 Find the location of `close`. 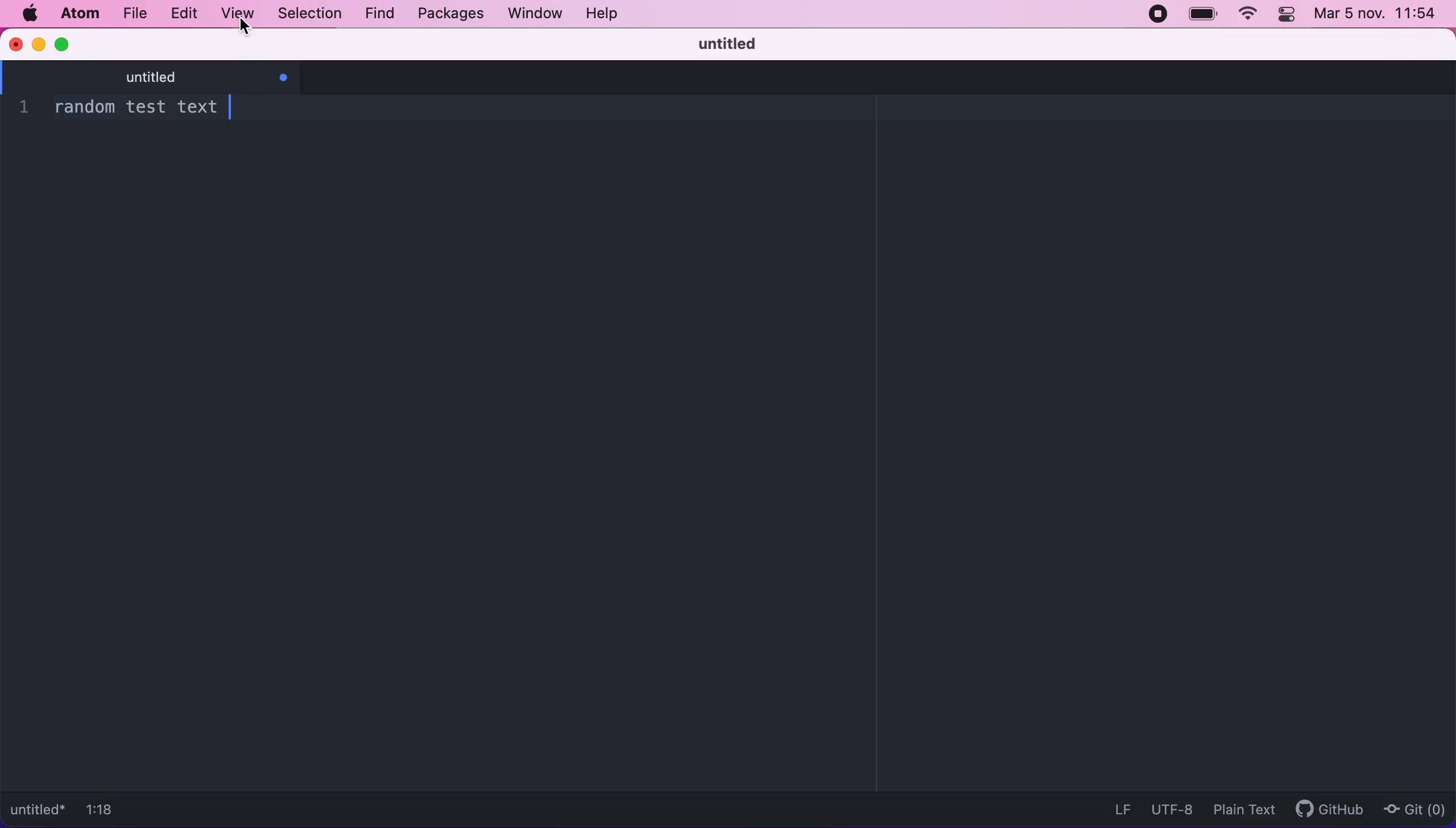

close is located at coordinates (15, 43).